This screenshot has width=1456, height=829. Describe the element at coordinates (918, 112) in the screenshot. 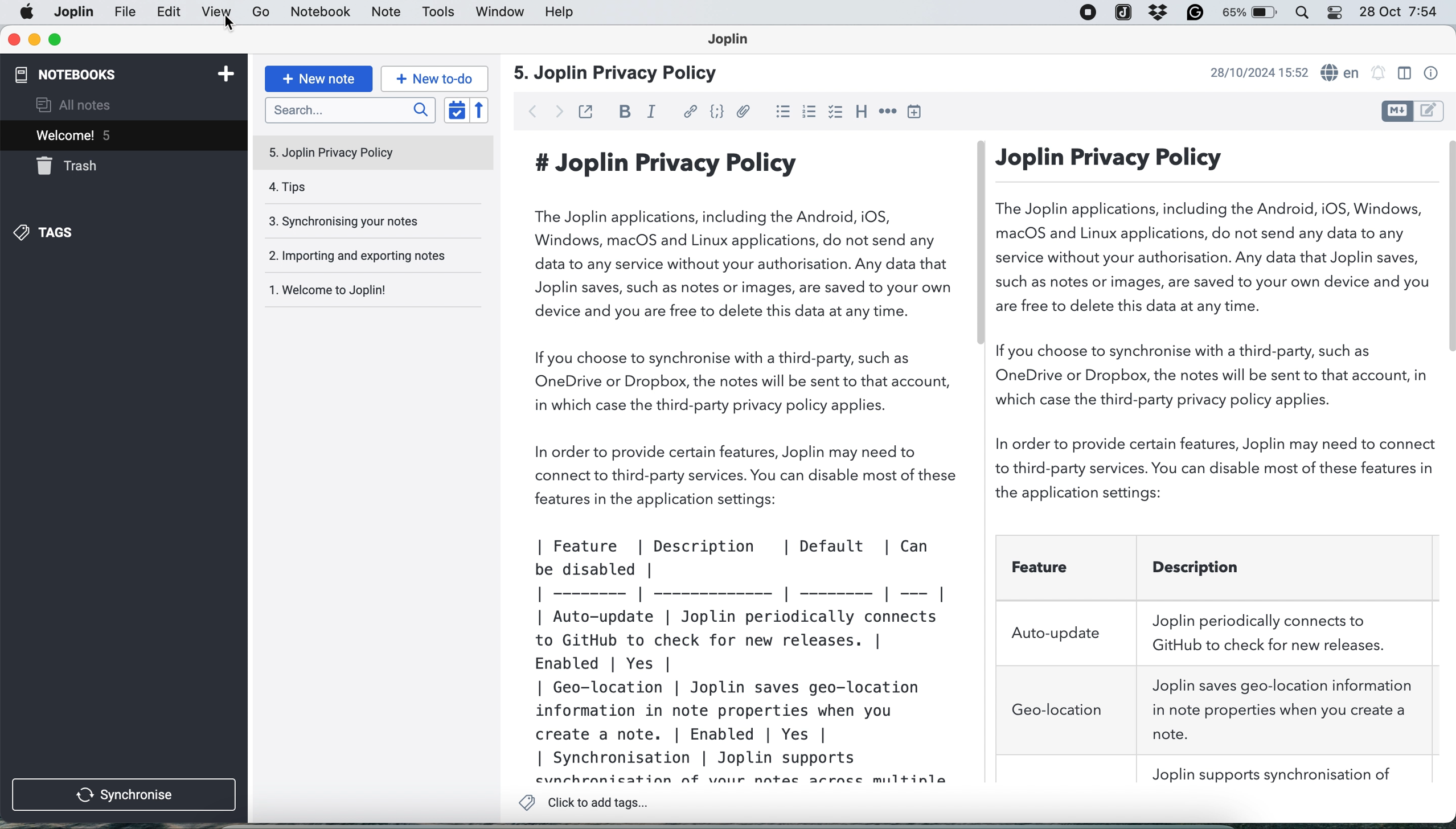

I see `insert time` at that location.